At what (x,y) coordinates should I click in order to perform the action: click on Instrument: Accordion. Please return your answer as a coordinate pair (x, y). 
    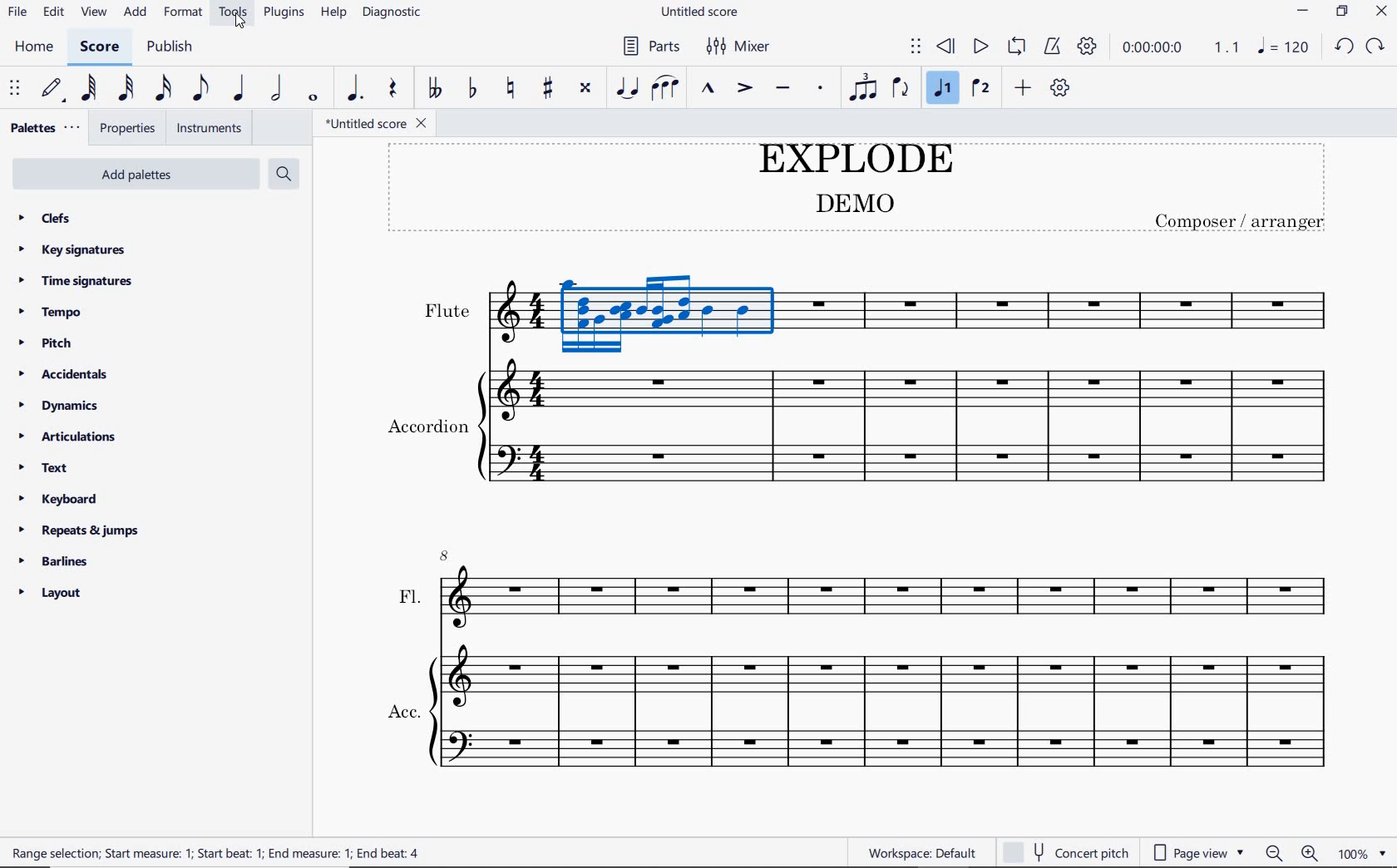
    Looking at the image, I should click on (866, 428).